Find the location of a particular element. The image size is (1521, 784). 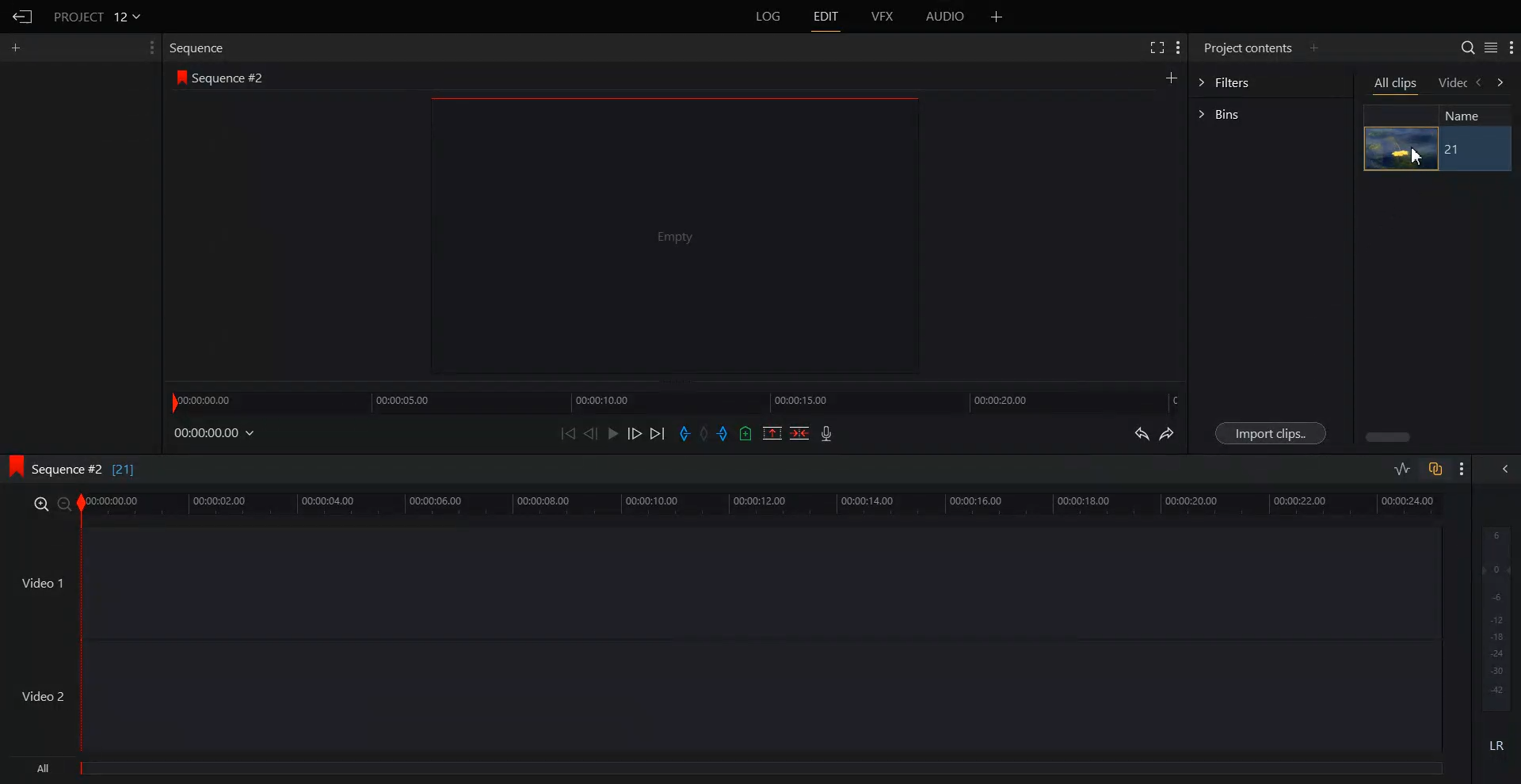

Sequence 2 [21] is located at coordinates (94, 471).